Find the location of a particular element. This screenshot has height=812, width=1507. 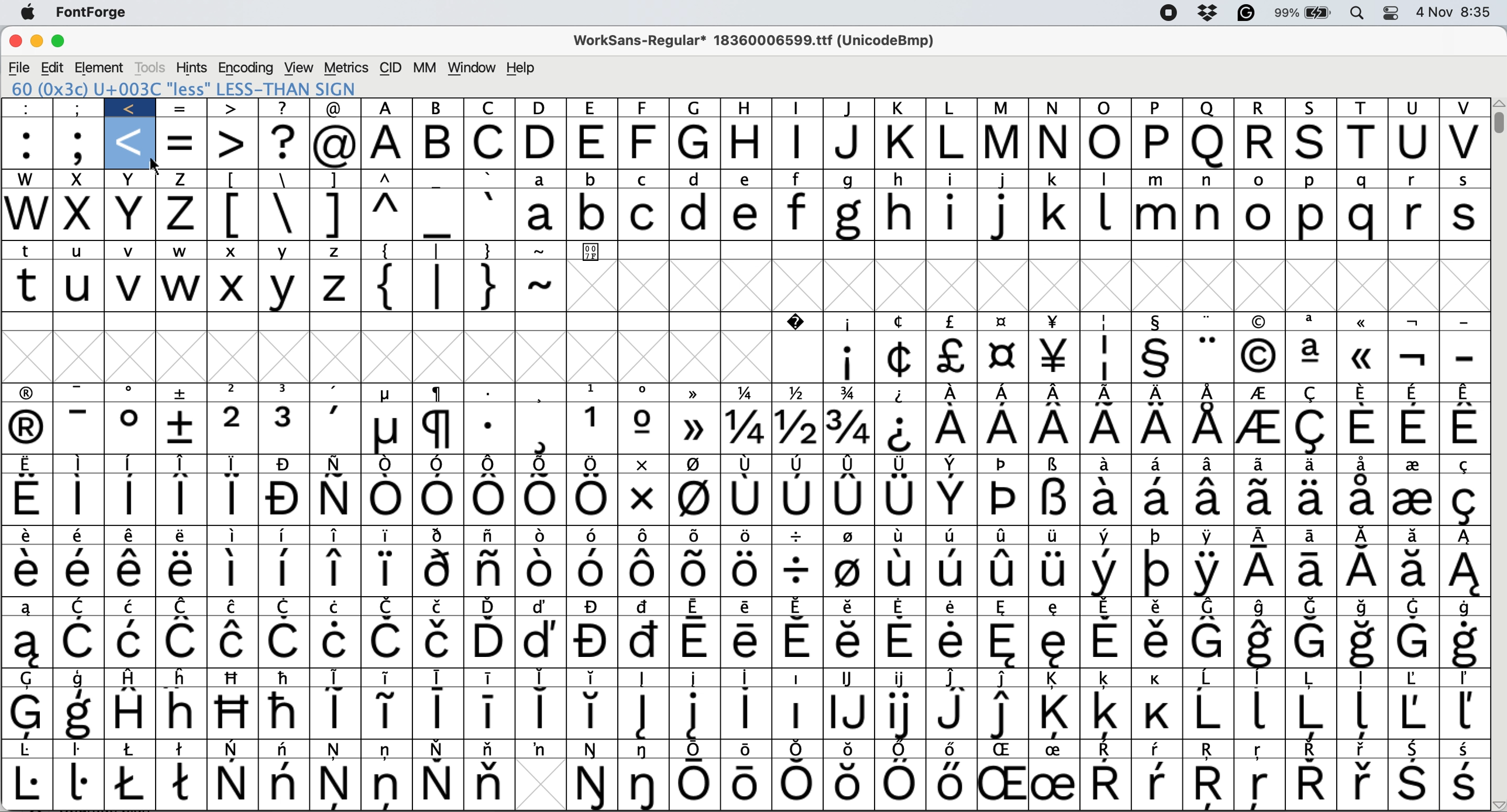

Symbol is located at coordinates (1414, 394).